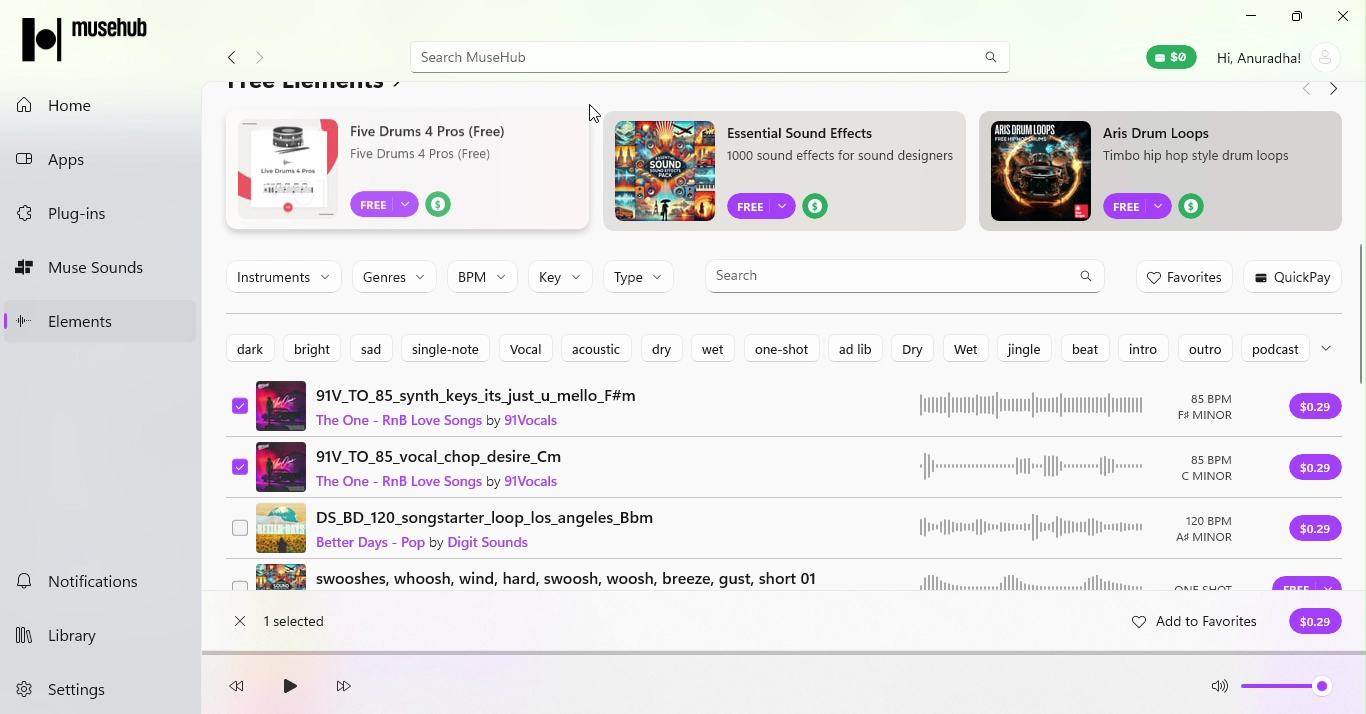 The height and width of the screenshot is (714, 1366). Describe the element at coordinates (525, 348) in the screenshot. I see `Vocal` at that location.